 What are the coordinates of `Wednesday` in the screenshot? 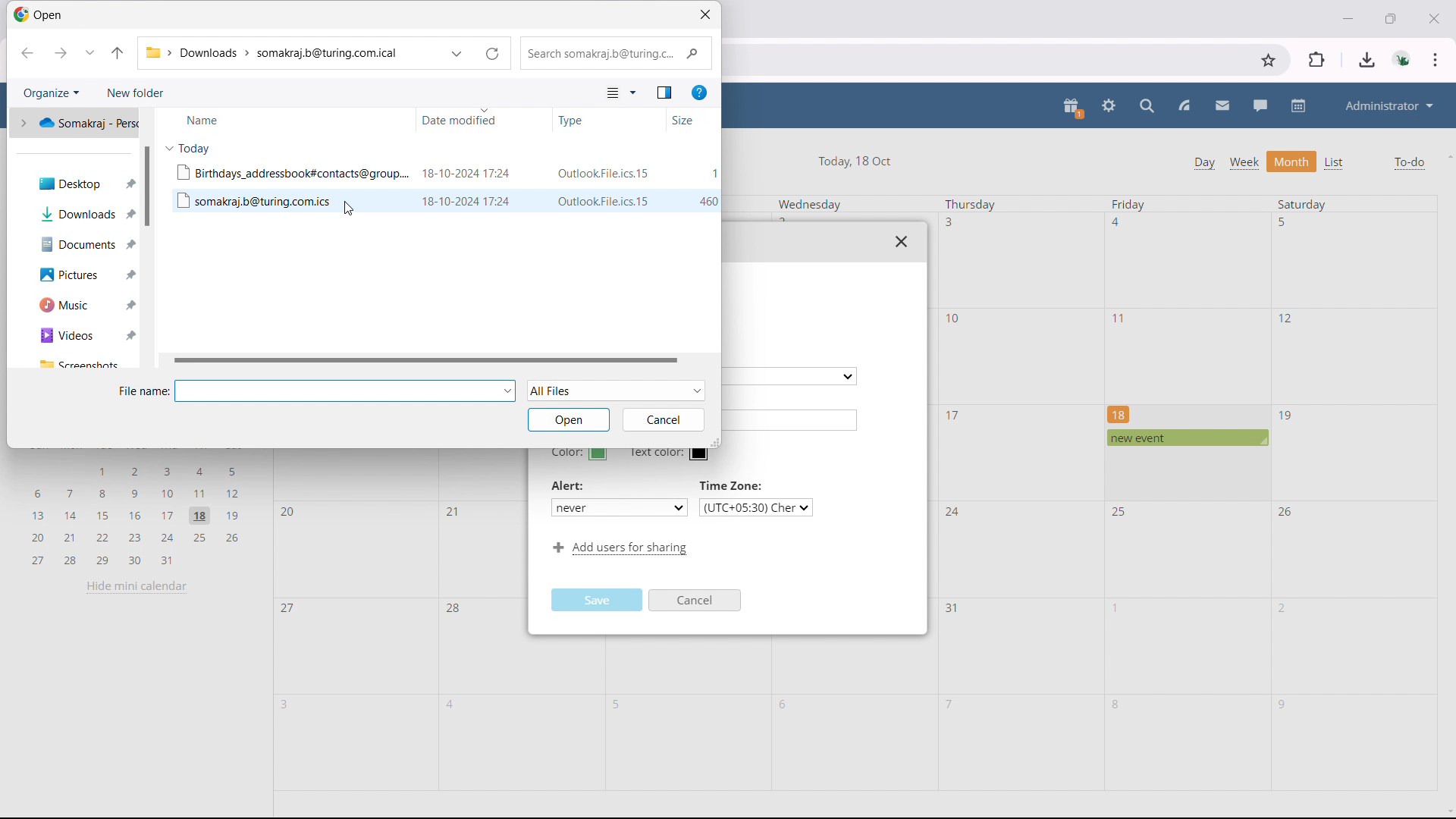 It's located at (810, 205).